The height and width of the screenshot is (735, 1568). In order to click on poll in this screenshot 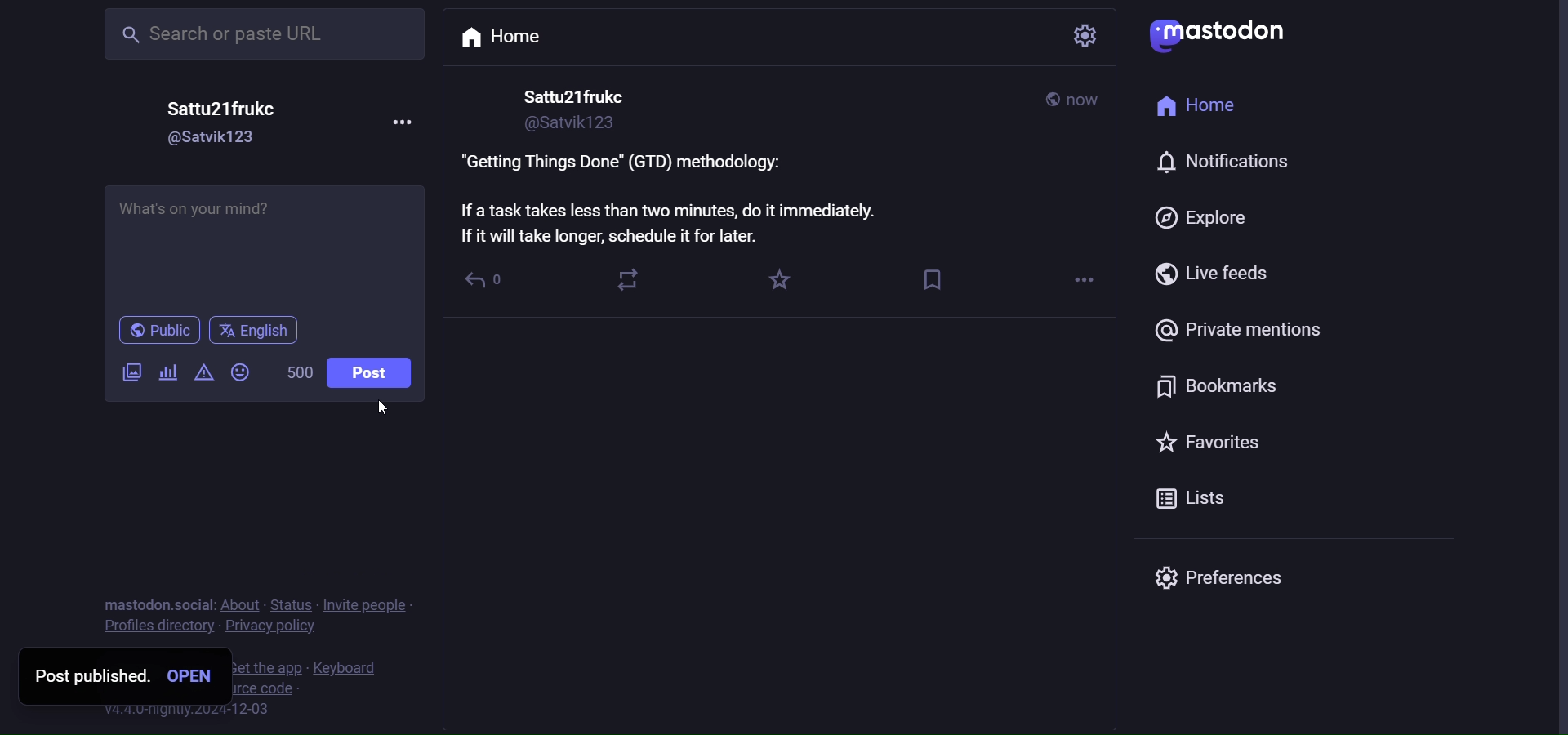, I will do `click(169, 374)`.